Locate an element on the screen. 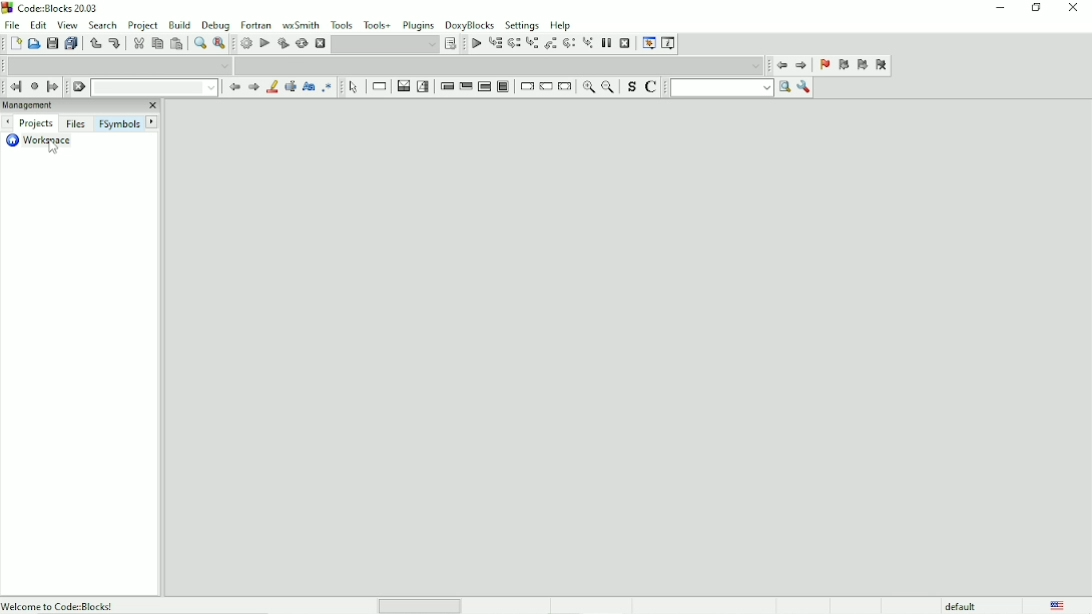  Build is located at coordinates (179, 24).